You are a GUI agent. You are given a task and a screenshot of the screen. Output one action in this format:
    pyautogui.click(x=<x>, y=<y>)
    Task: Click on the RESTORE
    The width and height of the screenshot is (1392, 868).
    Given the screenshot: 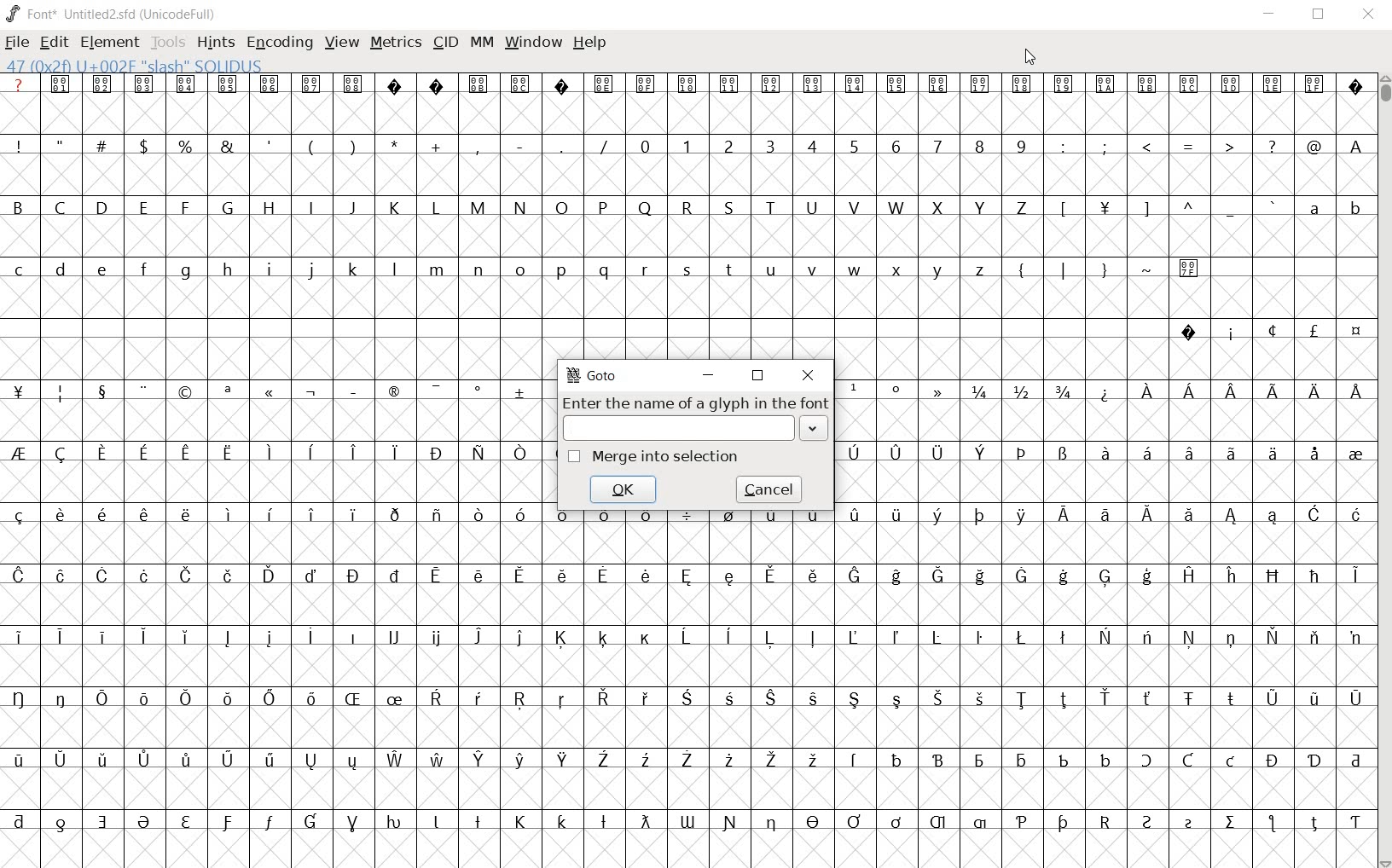 What is the action you would take?
    pyautogui.click(x=1316, y=14)
    